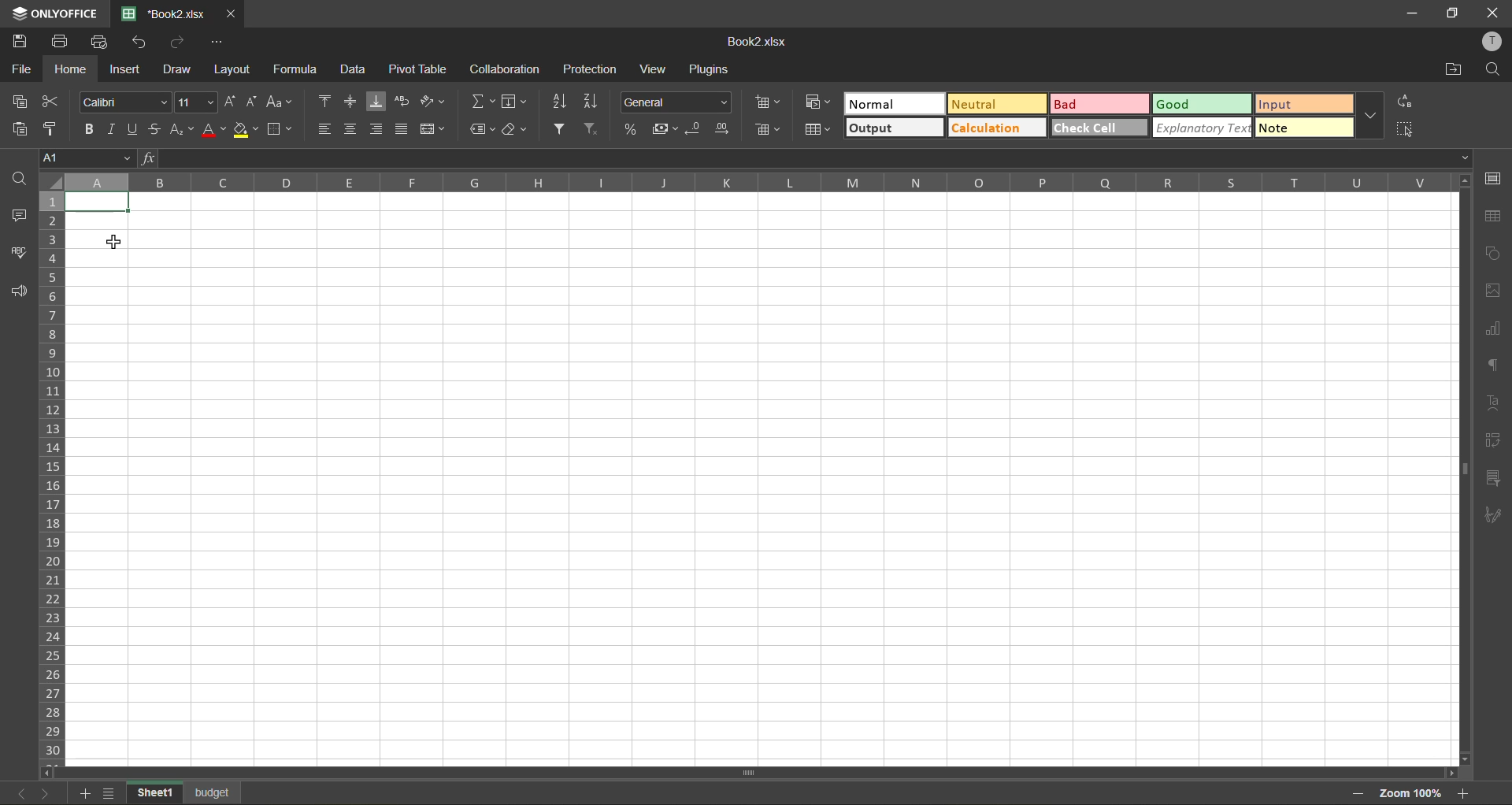 The image size is (1512, 805). What do you see at coordinates (178, 42) in the screenshot?
I see `redo` at bounding box center [178, 42].